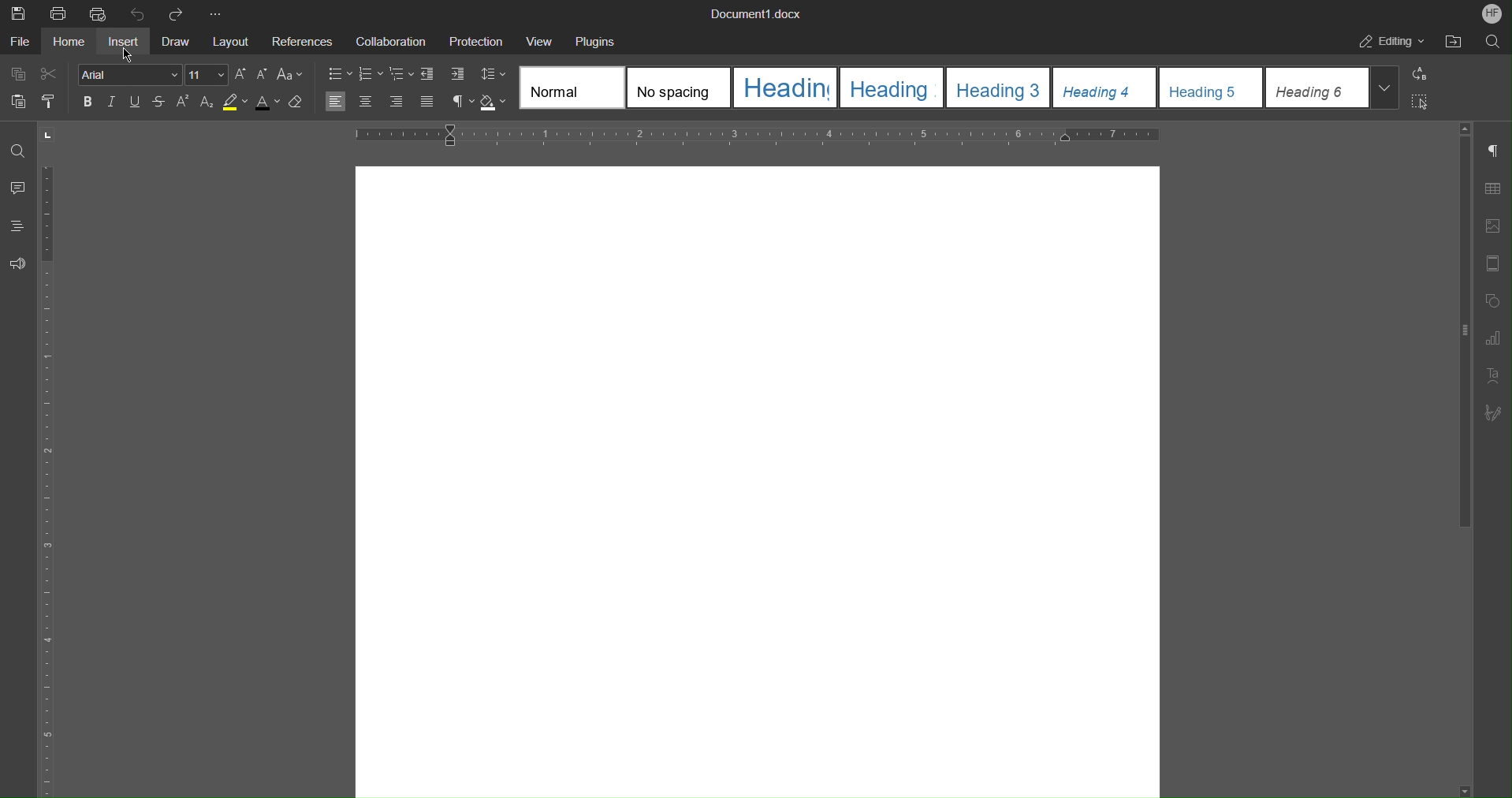  I want to click on Font Size, so click(208, 75).